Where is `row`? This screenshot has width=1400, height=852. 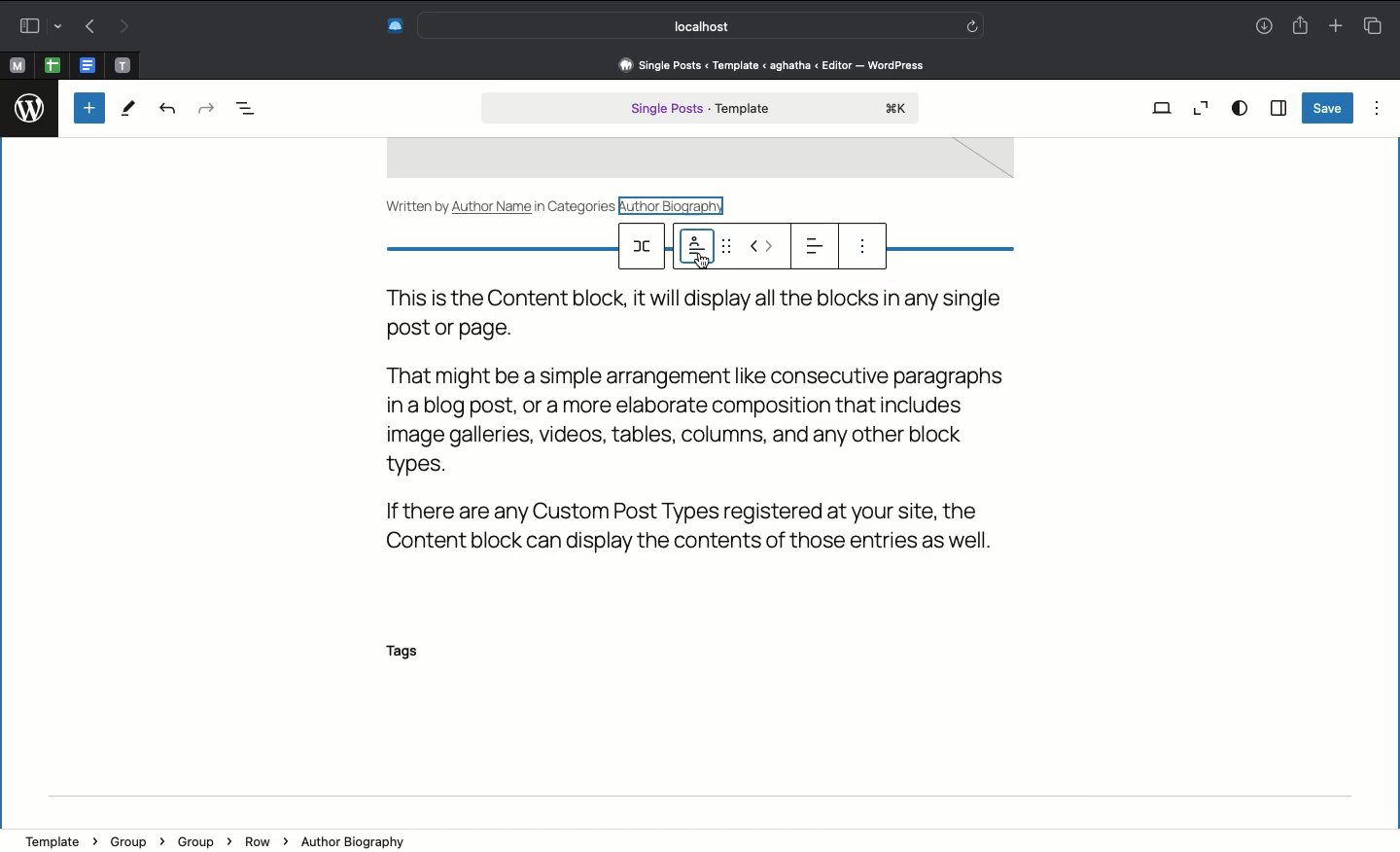 row is located at coordinates (645, 246).